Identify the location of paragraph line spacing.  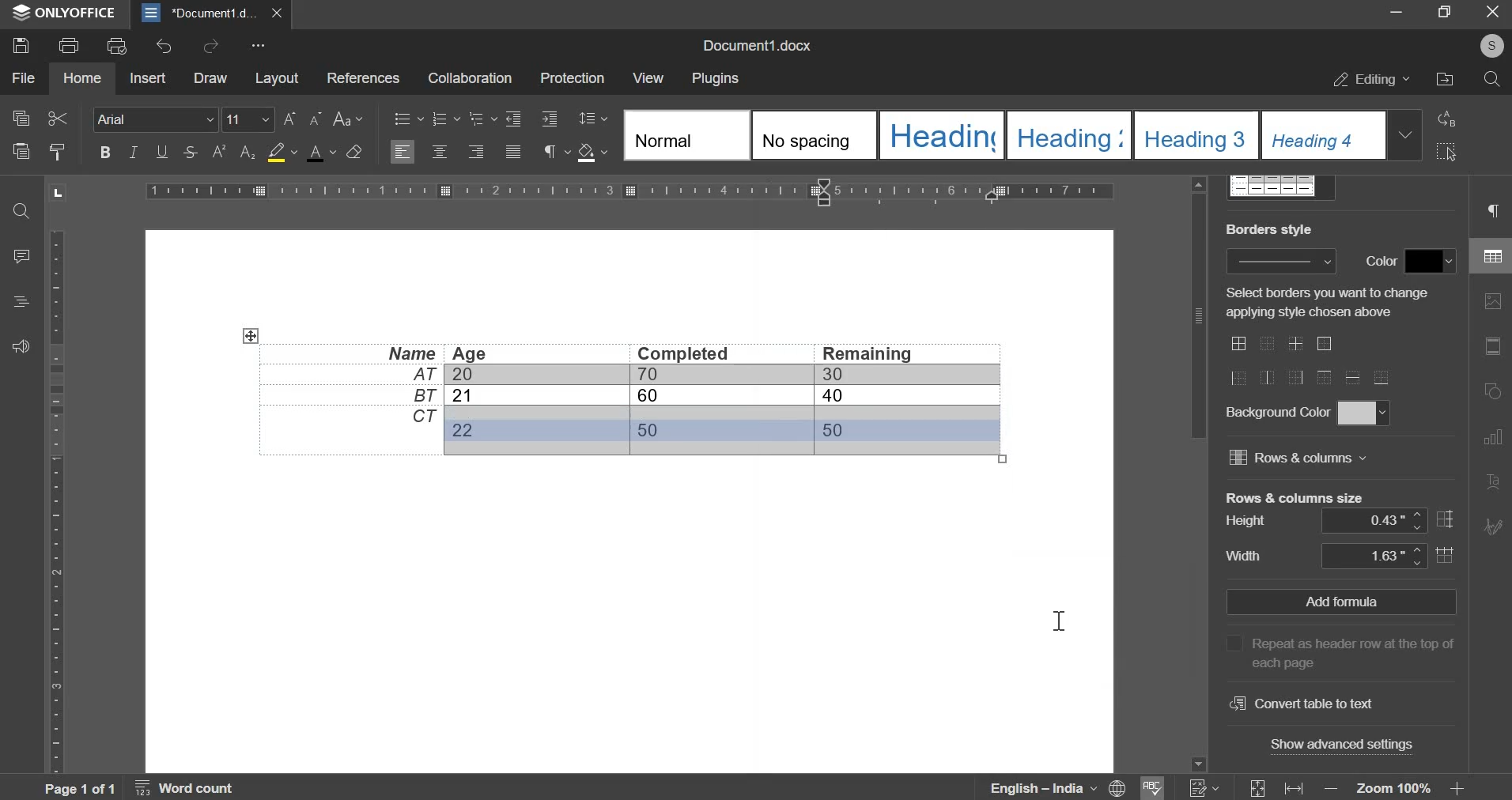
(595, 118).